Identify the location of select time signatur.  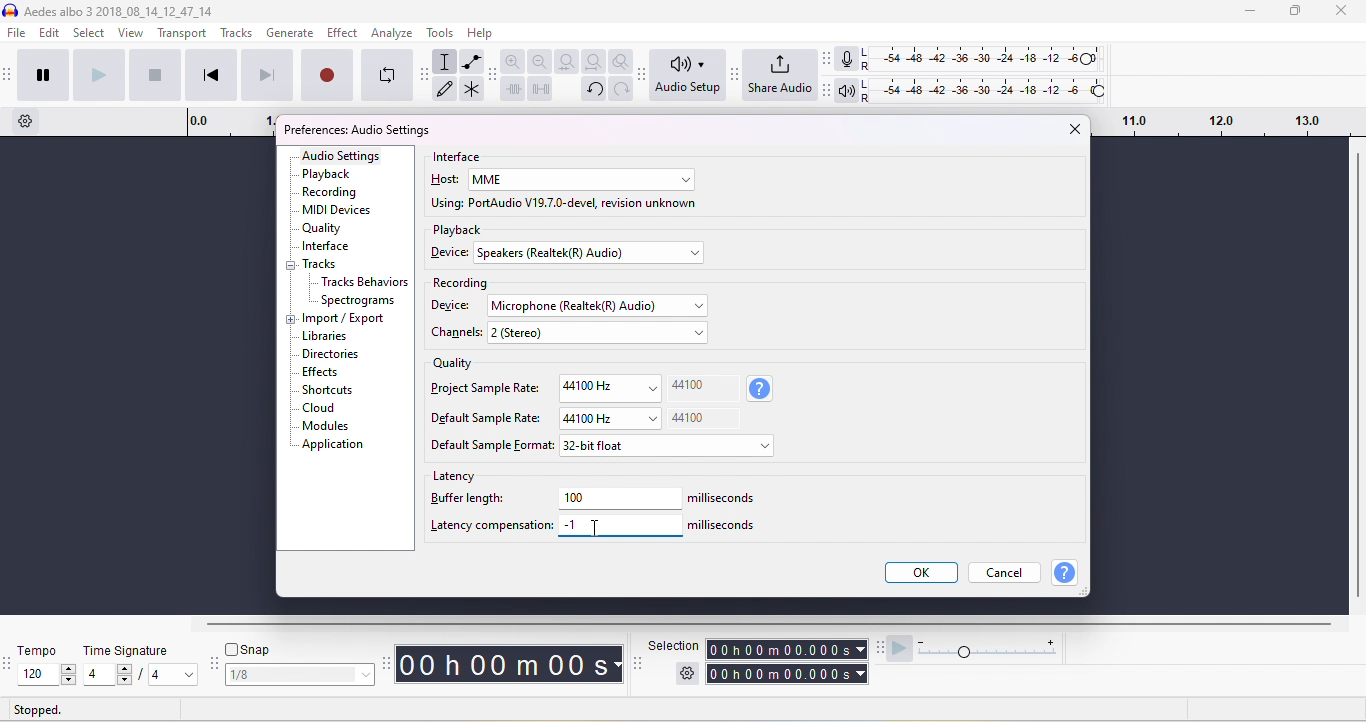
(143, 676).